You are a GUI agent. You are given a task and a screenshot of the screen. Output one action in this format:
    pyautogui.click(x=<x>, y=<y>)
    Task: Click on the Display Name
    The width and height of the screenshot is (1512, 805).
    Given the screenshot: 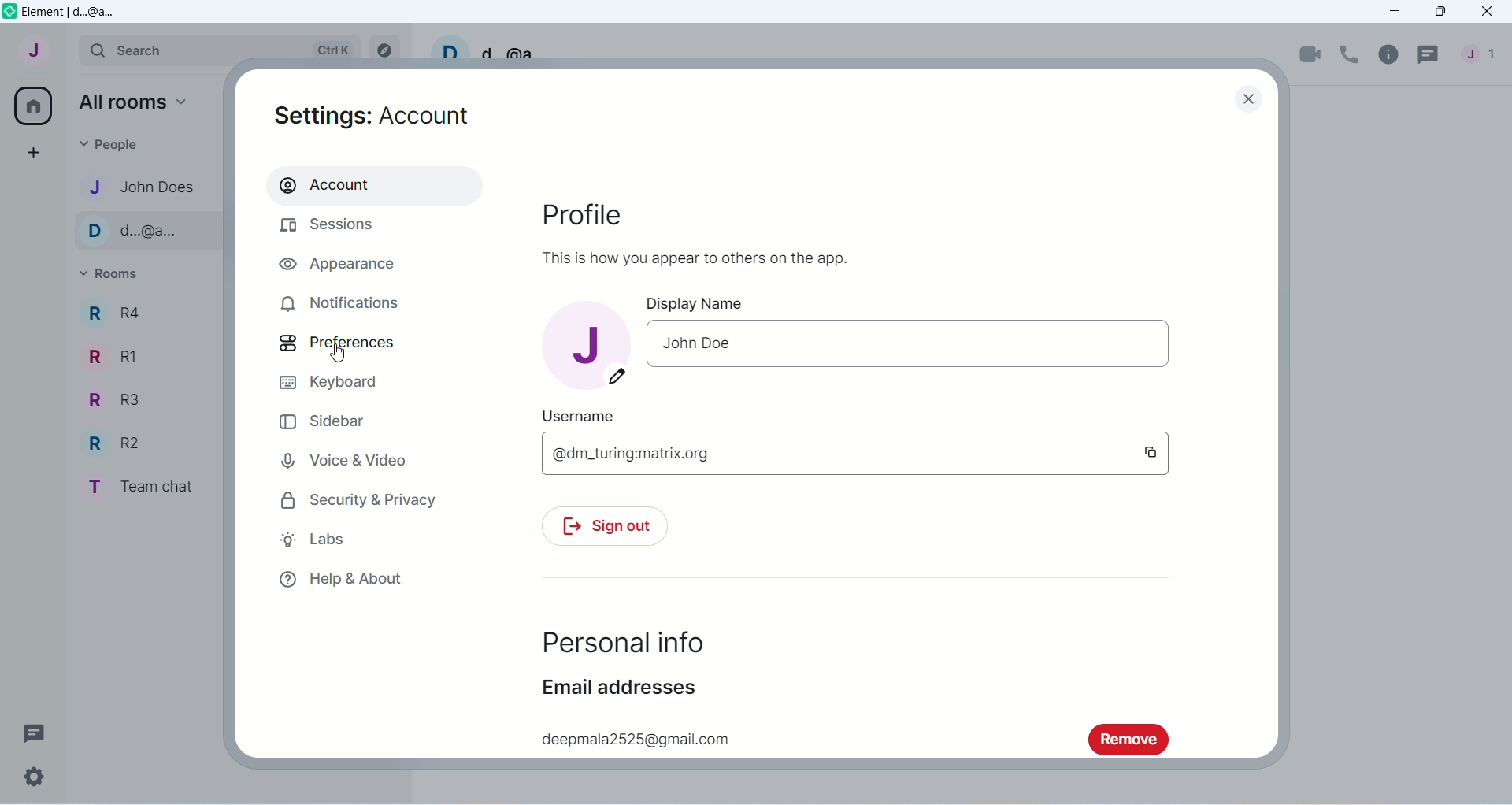 What is the action you would take?
    pyautogui.click(x=708, y=300)
    